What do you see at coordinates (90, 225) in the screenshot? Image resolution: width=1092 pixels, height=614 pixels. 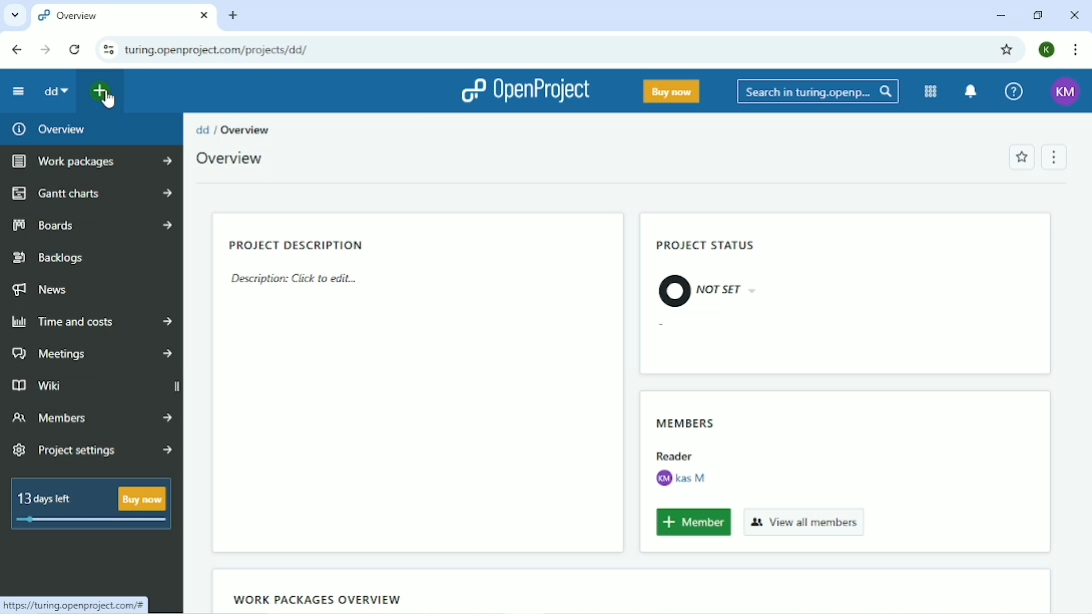 I see `Boards` at bounding box center [90, 225].